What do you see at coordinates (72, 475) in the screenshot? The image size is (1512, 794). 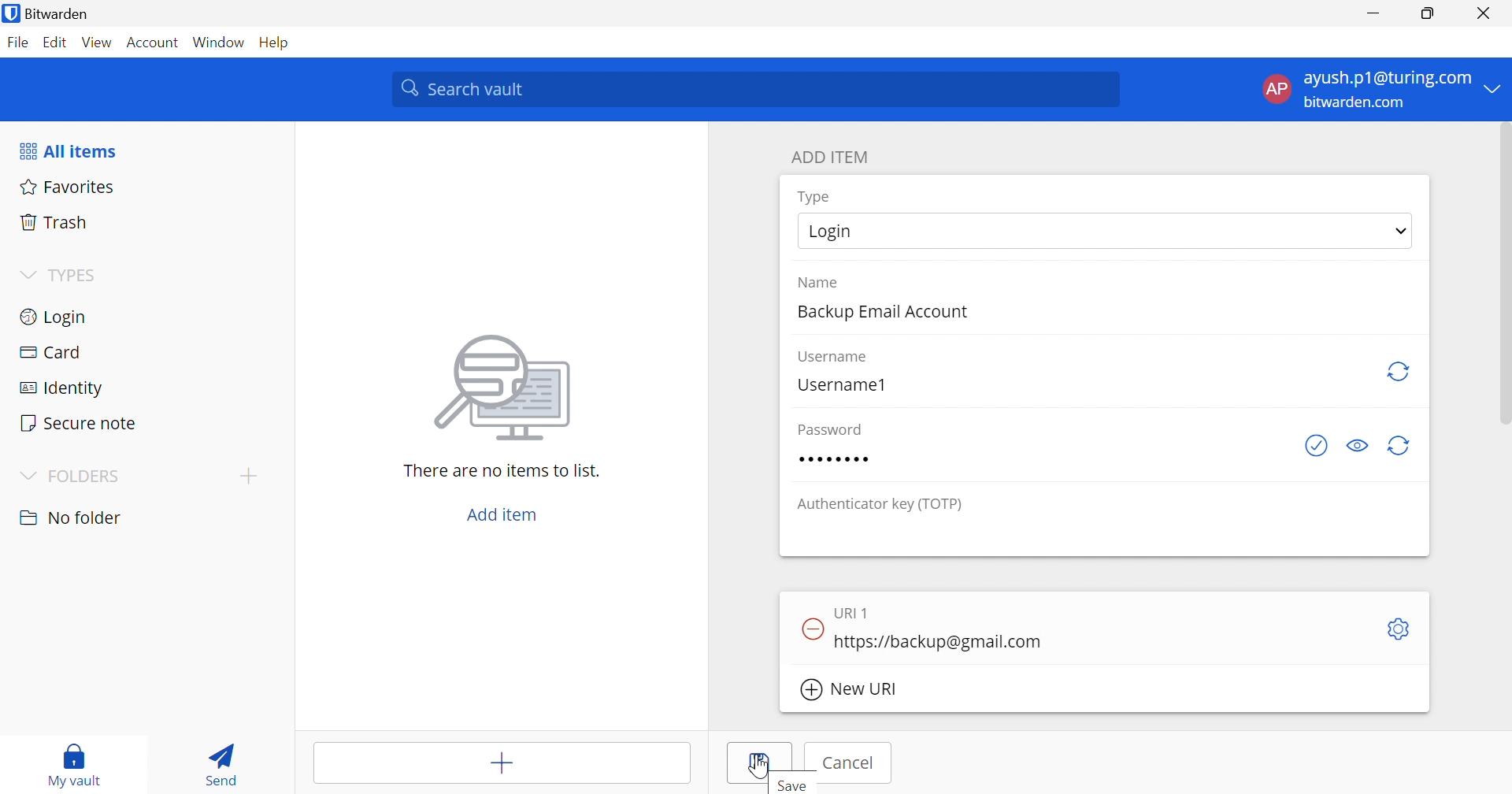 I see `FOLDERS` at bounding box center [72, 475].